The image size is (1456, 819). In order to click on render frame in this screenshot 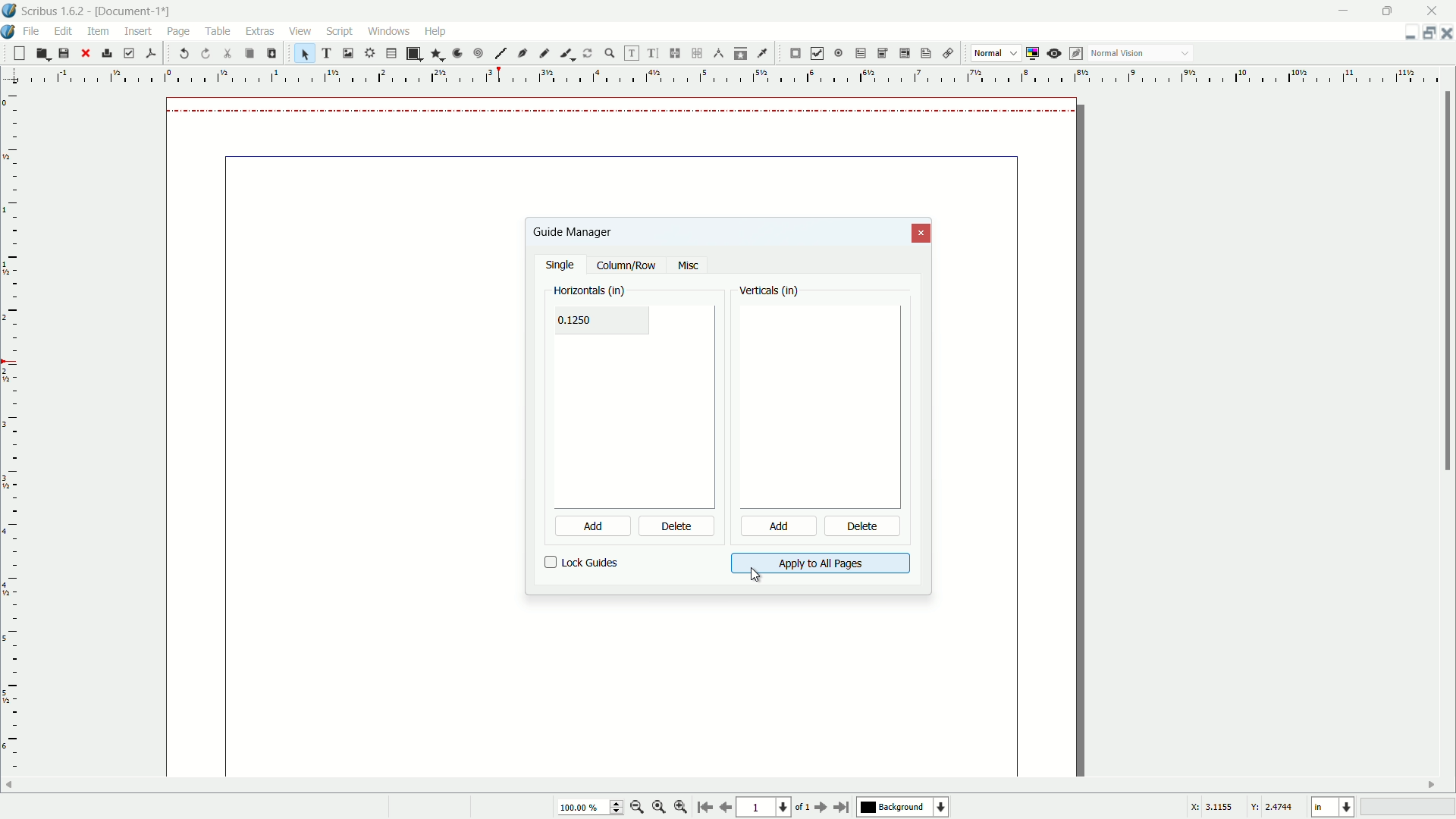, I will do `click(368, 53)`.